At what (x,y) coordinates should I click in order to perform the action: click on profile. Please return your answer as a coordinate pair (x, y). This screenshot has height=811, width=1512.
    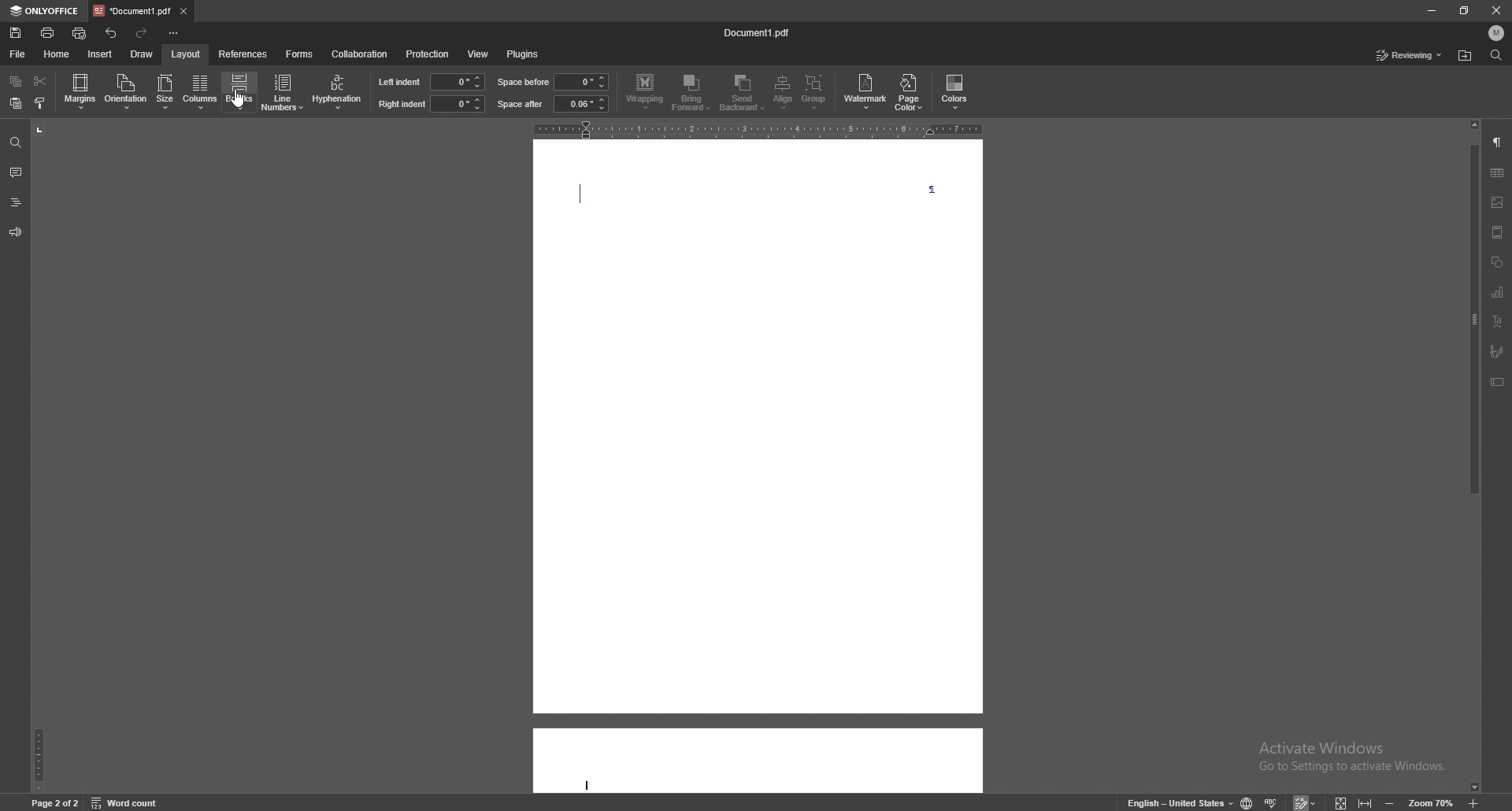
    Looking at the image, I should click on (1497, 32).